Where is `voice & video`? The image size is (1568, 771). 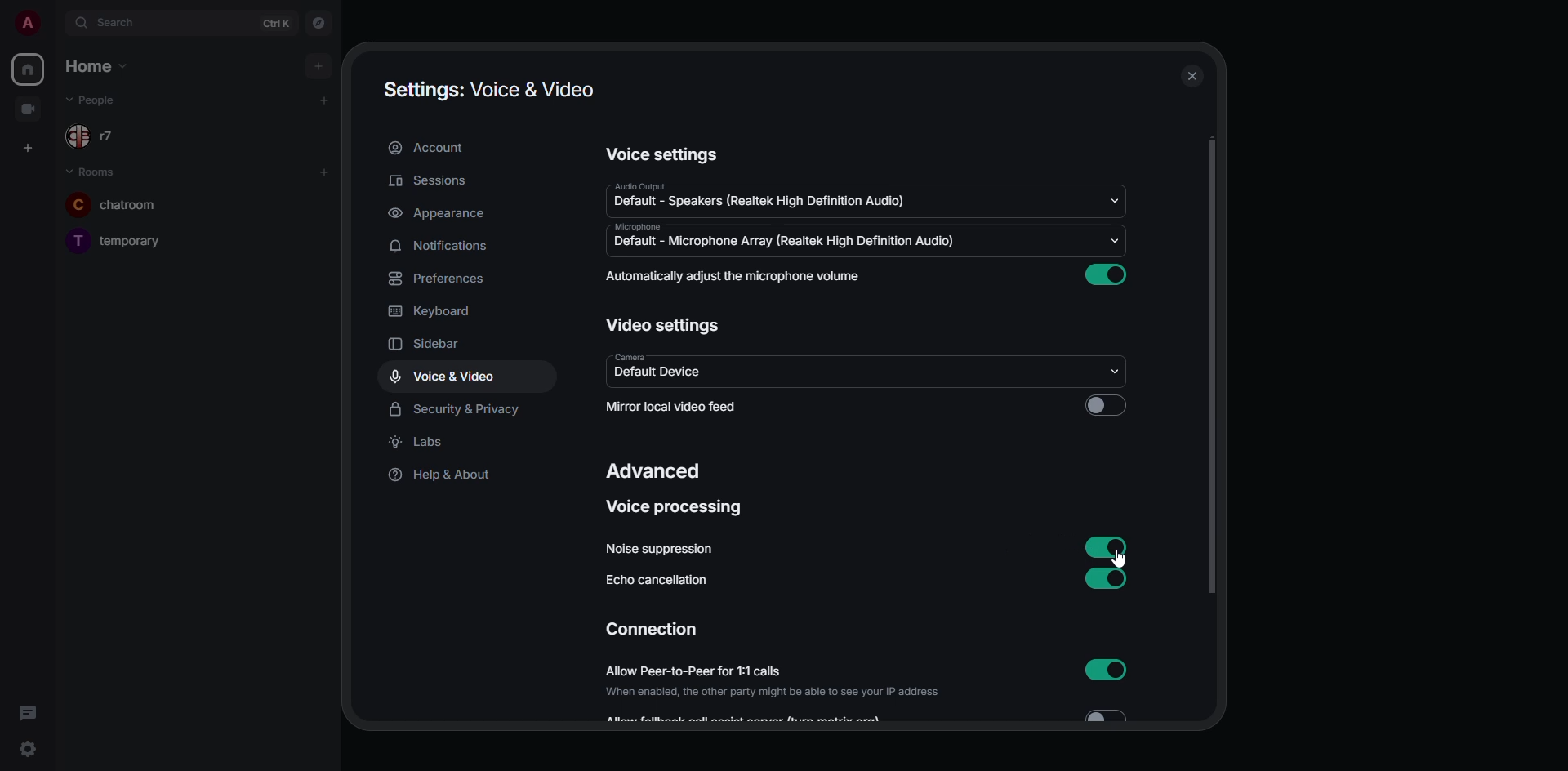
voice & video is located at coordinates (439, 377).